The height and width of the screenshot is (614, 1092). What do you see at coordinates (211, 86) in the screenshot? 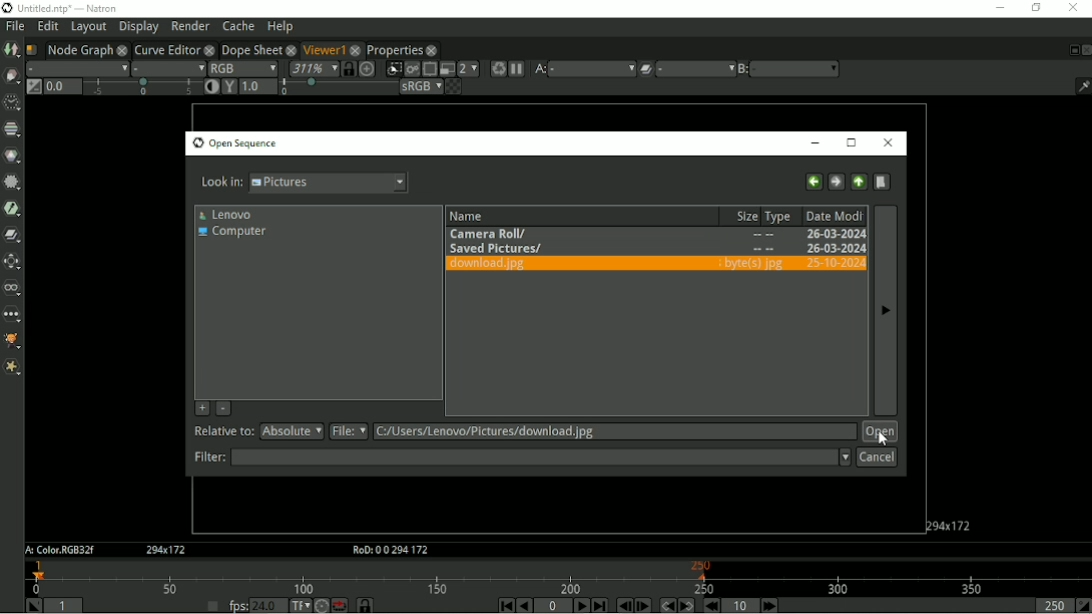
I see `Auto-contrast` at bounding box center [211, 86].